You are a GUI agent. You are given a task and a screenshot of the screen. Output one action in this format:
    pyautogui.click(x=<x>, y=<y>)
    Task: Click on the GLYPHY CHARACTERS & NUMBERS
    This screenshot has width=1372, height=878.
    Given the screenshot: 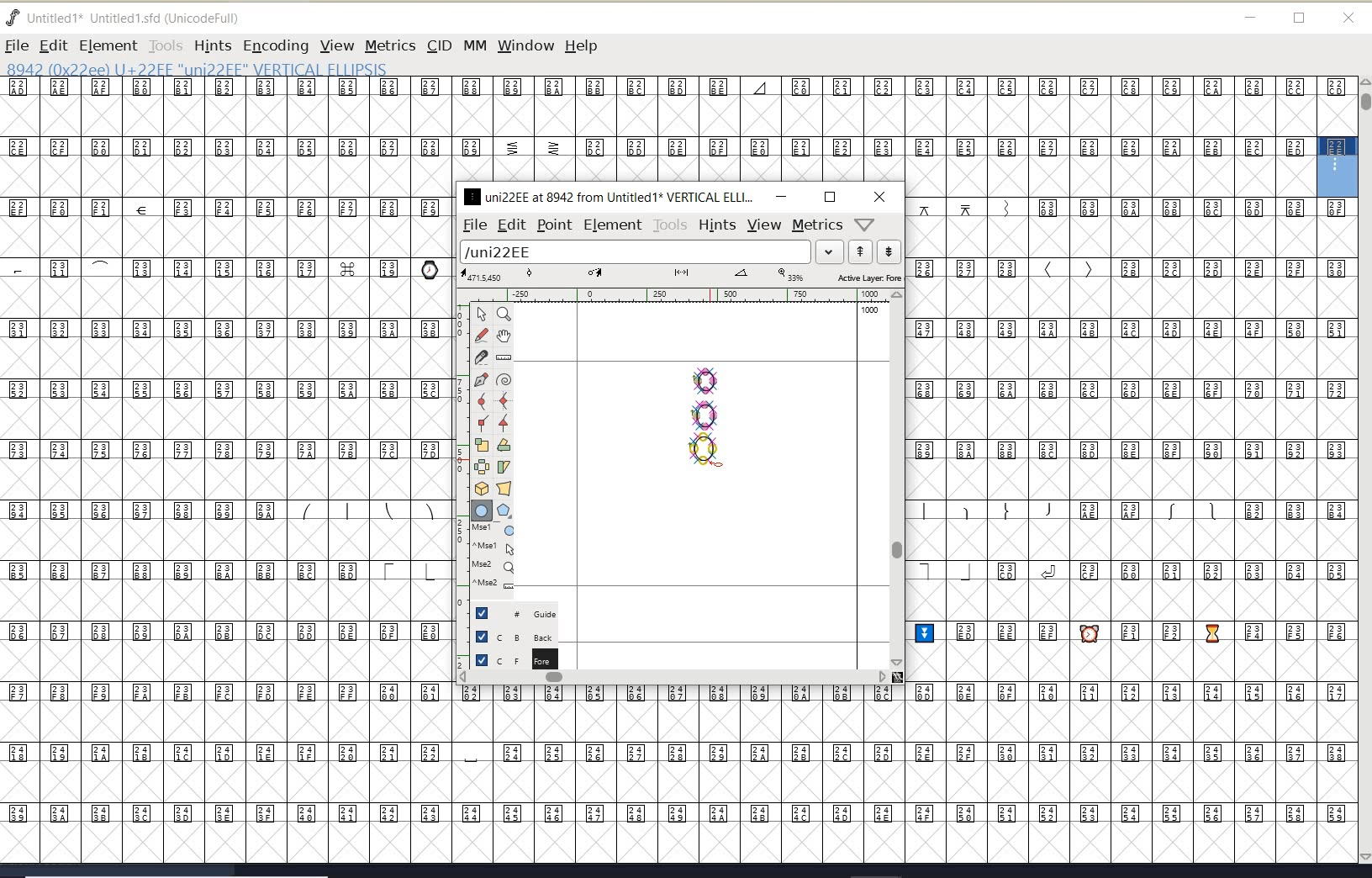 What is the action you would take?
    pyautogui.click(x=657, y=130)
    